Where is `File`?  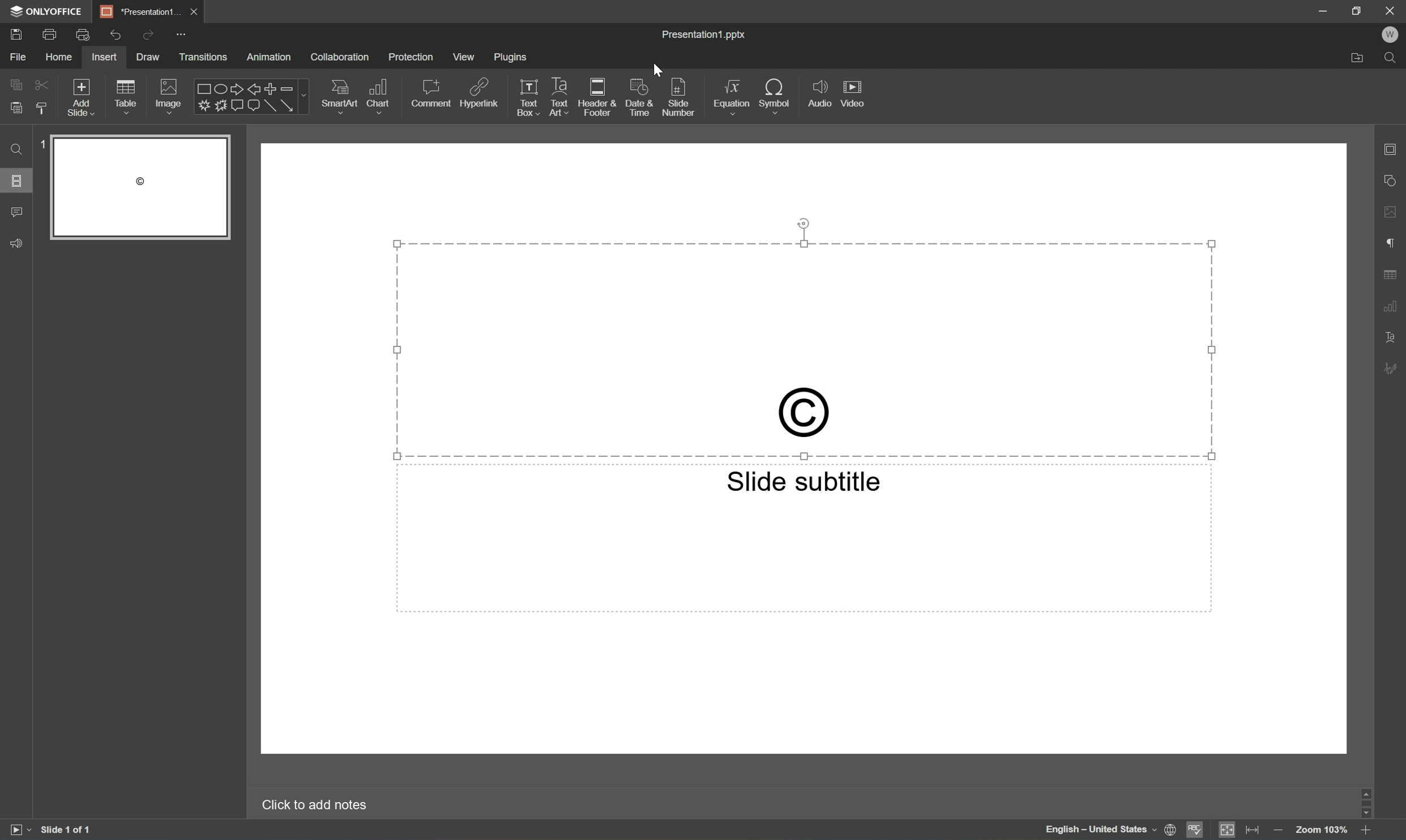
File is located at coordinates (15, 57).